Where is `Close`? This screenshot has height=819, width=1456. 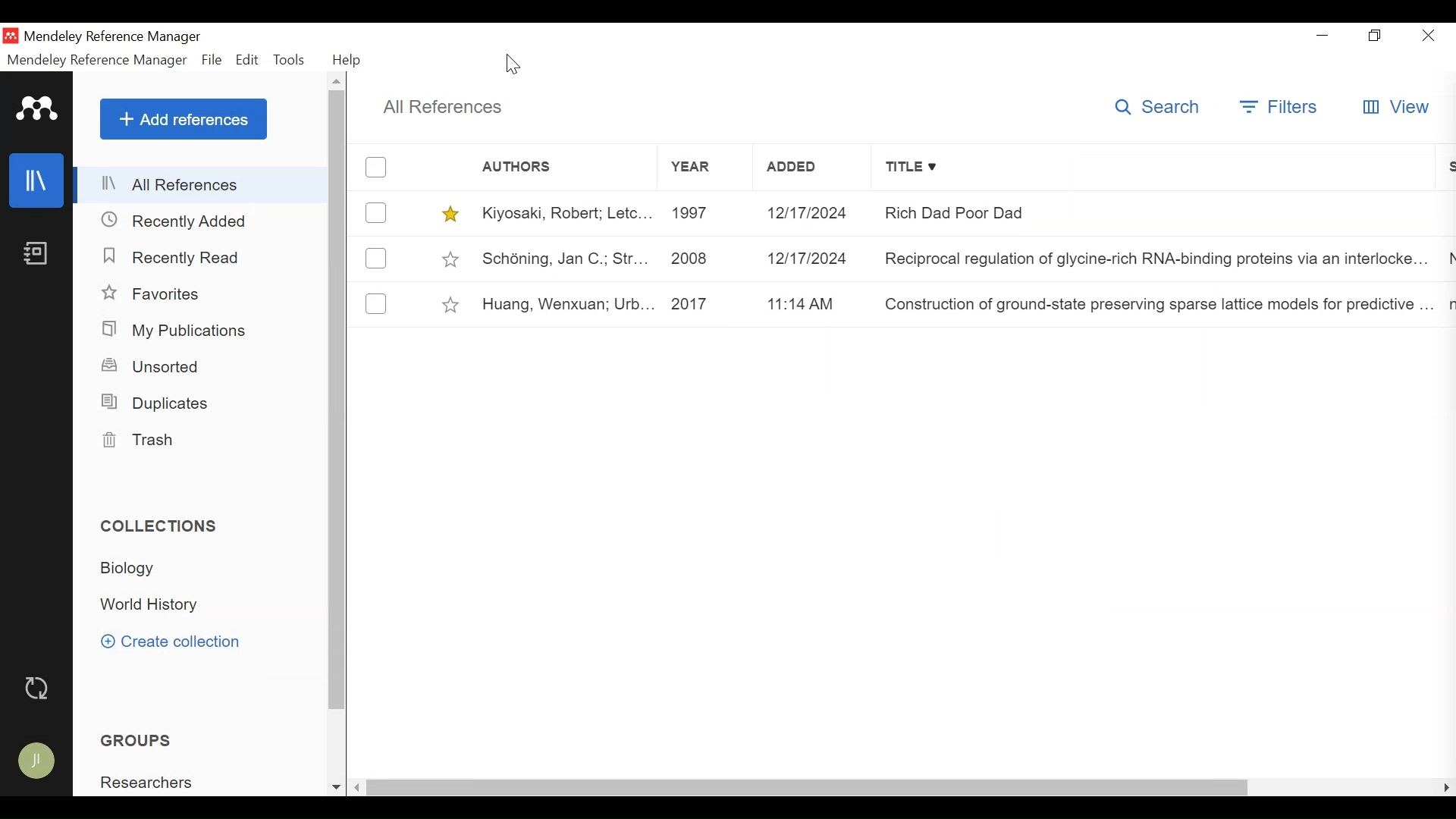 Close is located at coordinates (1428, 36).